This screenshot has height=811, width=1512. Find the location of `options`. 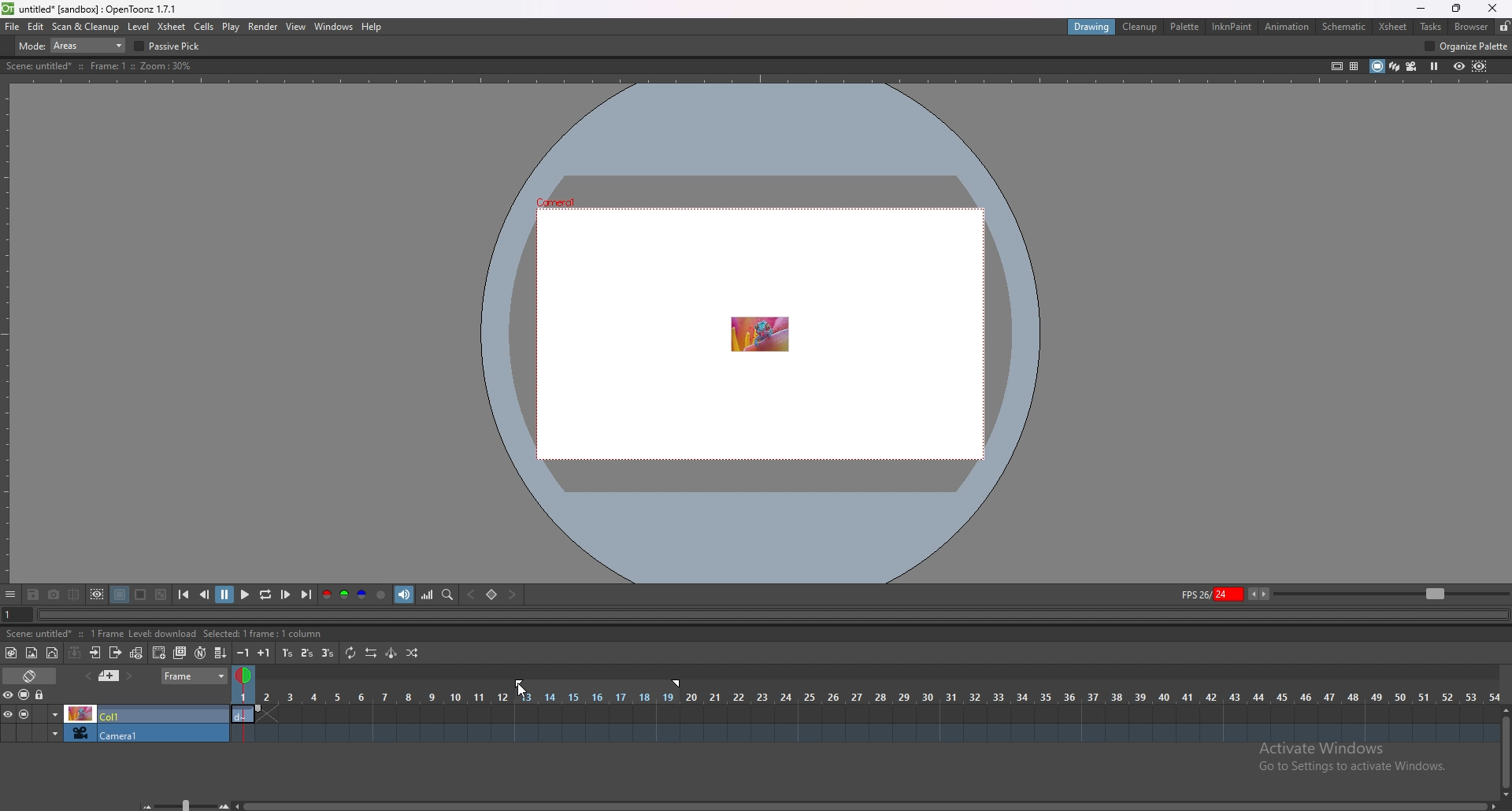

options is located at coordinates (11, 595).